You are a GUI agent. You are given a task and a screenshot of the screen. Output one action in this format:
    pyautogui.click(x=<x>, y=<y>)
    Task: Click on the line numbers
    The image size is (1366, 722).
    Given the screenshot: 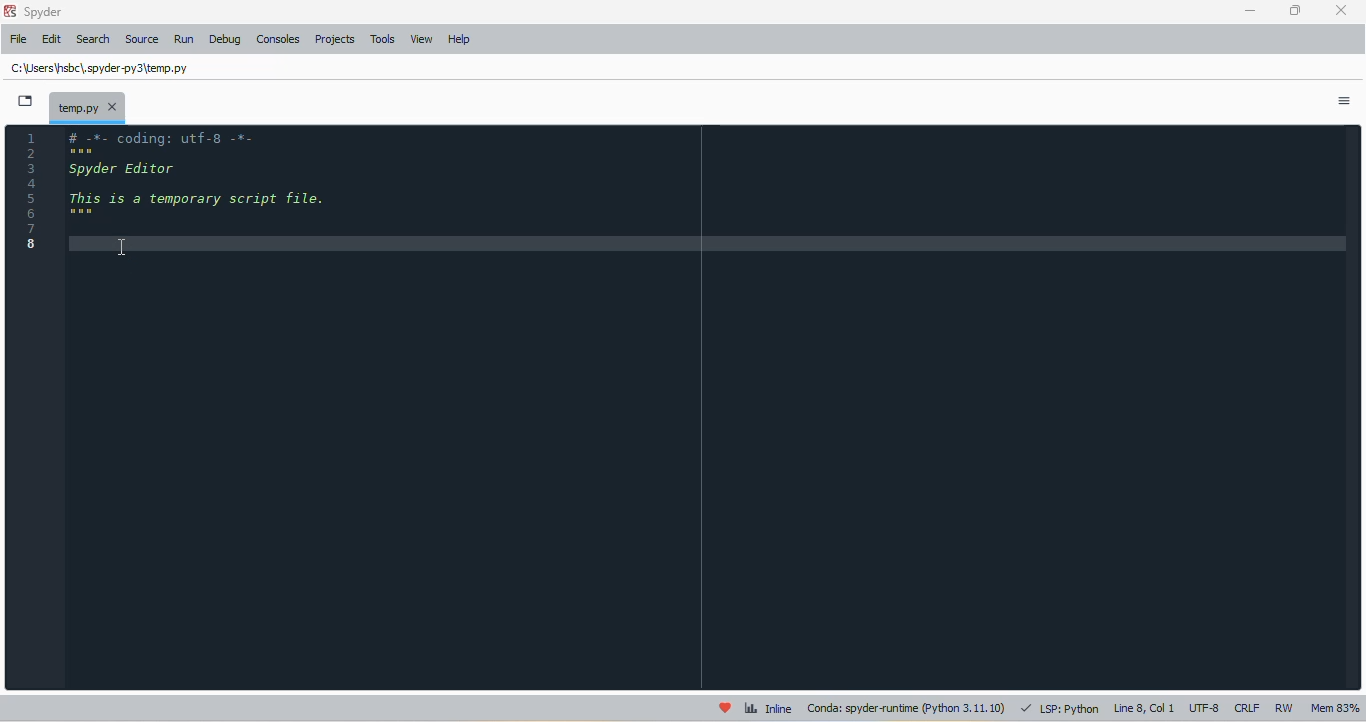 What is the action you would take?
    pyautogui.click(x=30, y=189)
    